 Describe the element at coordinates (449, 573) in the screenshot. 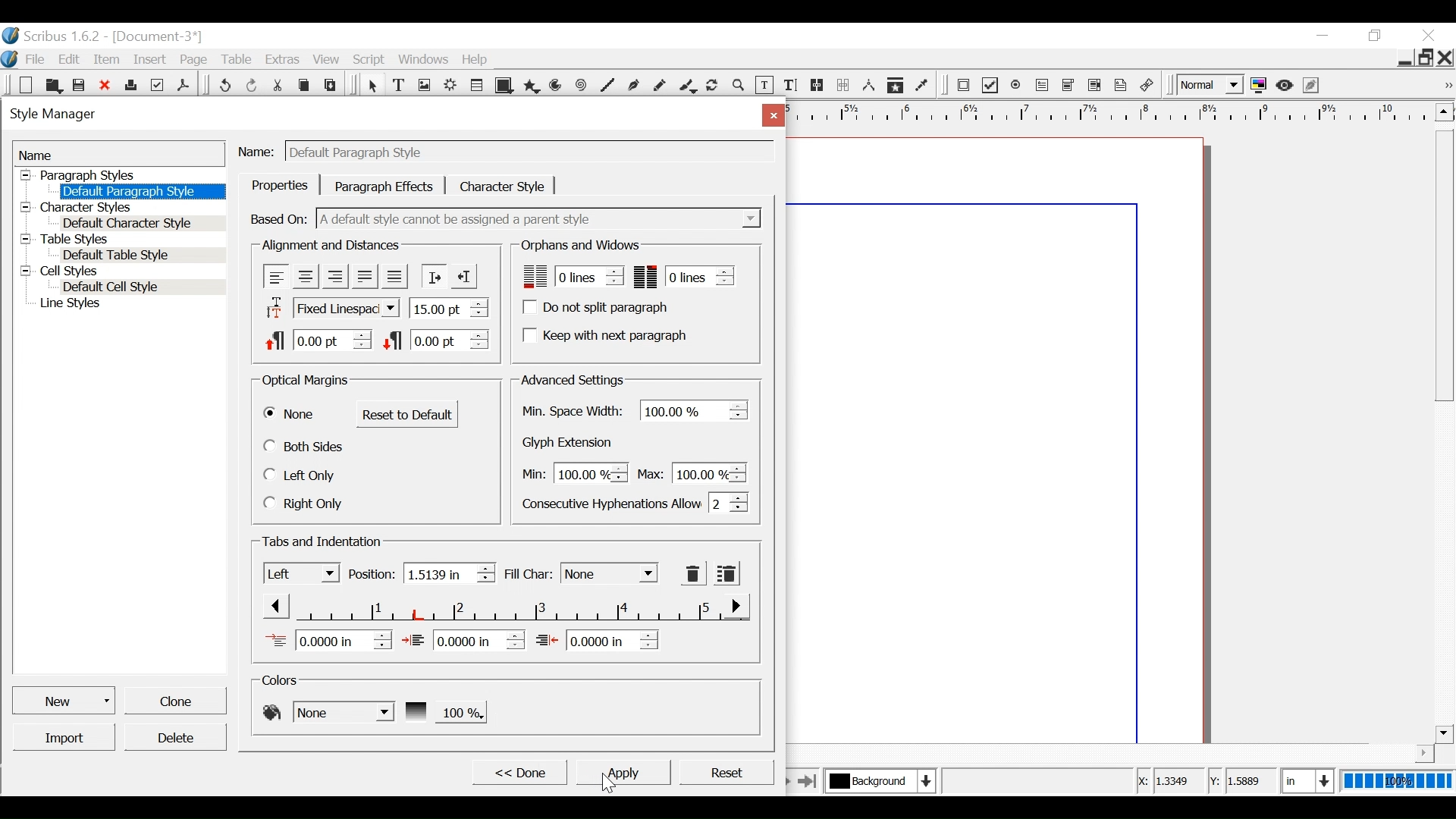

I see `Position of tab` at that location.